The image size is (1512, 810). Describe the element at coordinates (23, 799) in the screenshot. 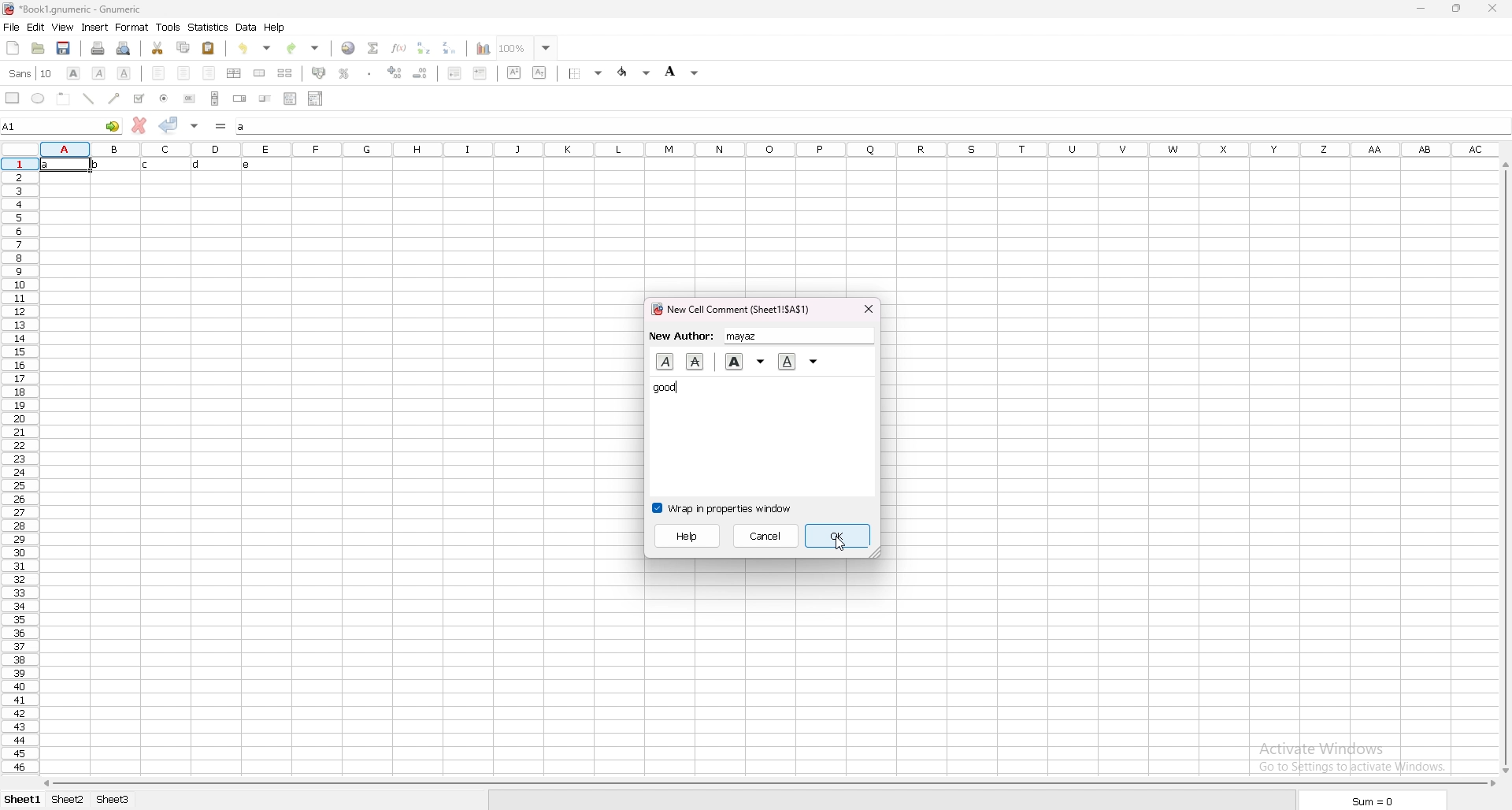

I see `sheet 1` at that location.